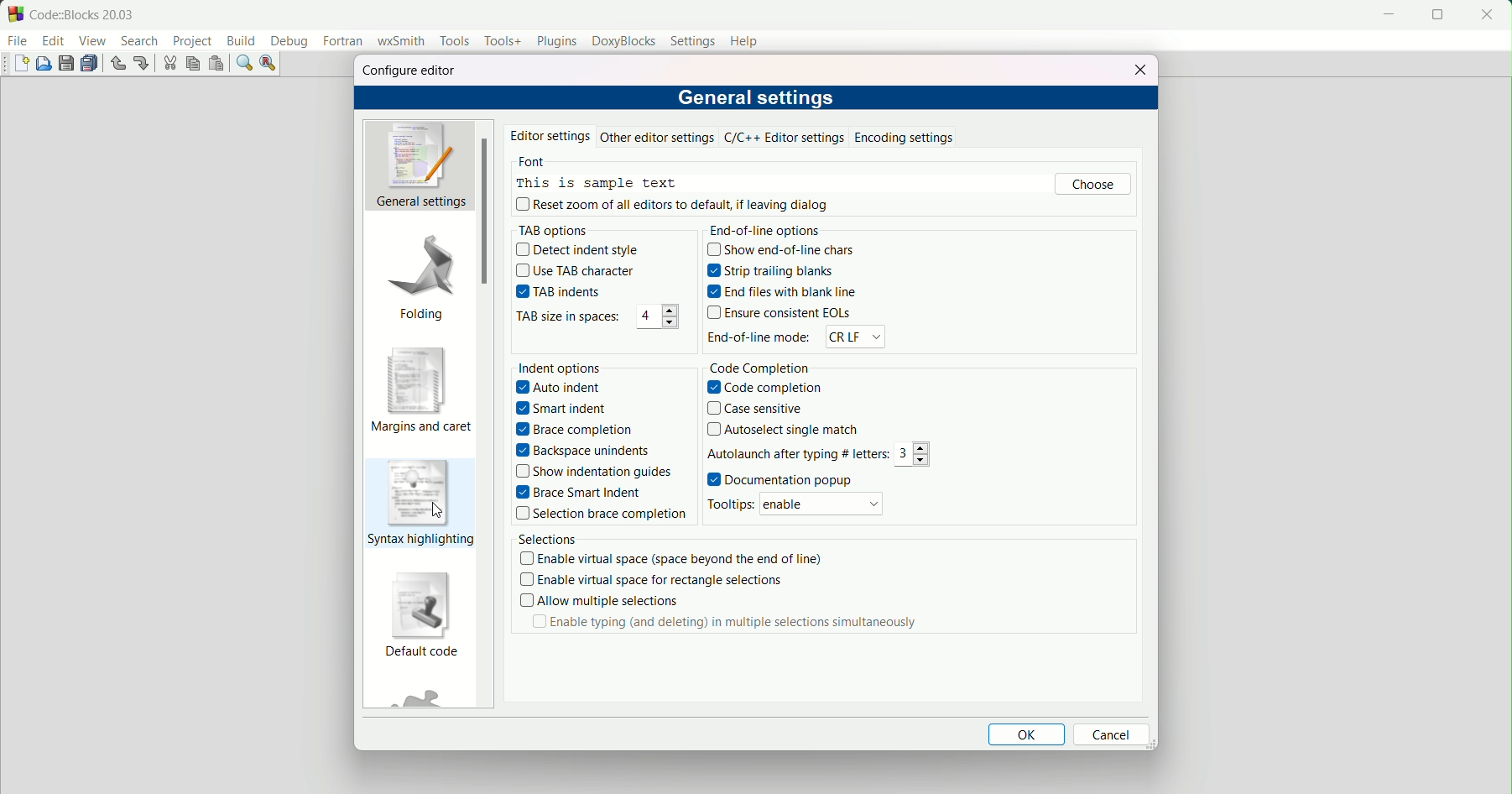  Describe the element at coordinates (23, 65) in the screenshot. I see `new file` at that location.